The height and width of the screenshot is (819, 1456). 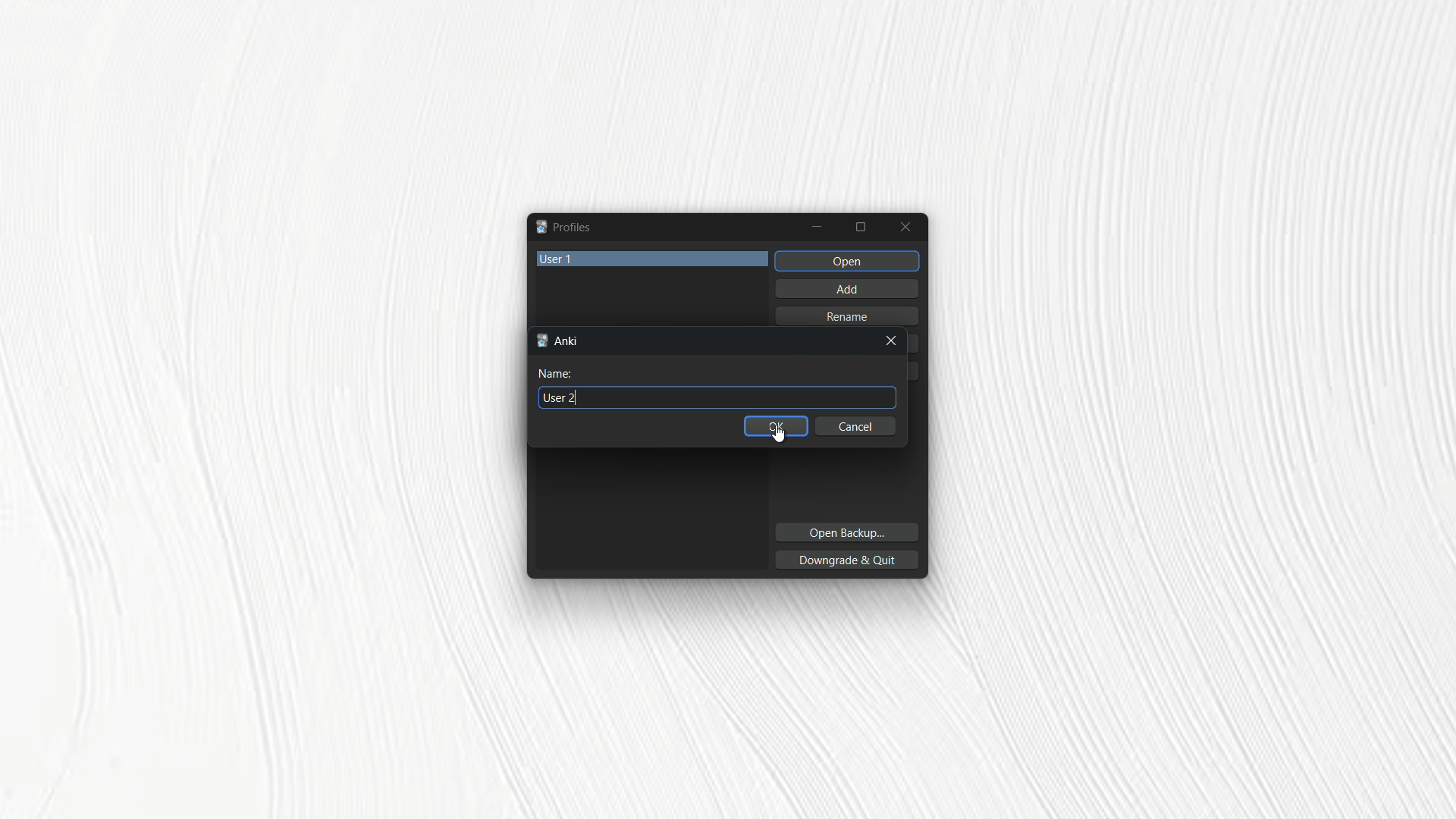 I want to click on ok, so click(x=776, y=428).